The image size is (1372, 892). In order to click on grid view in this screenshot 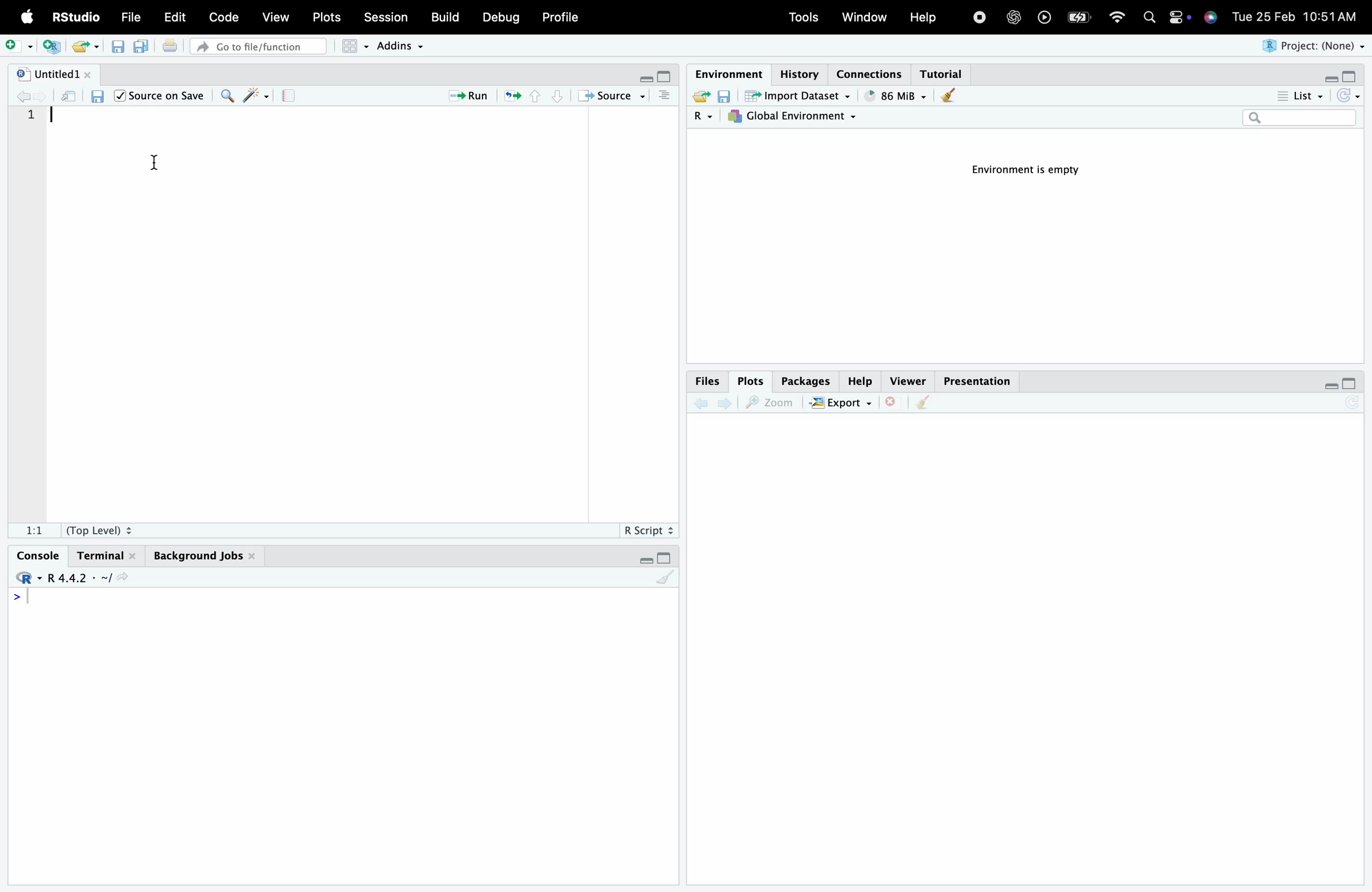, I will do `click(350, 48)`.